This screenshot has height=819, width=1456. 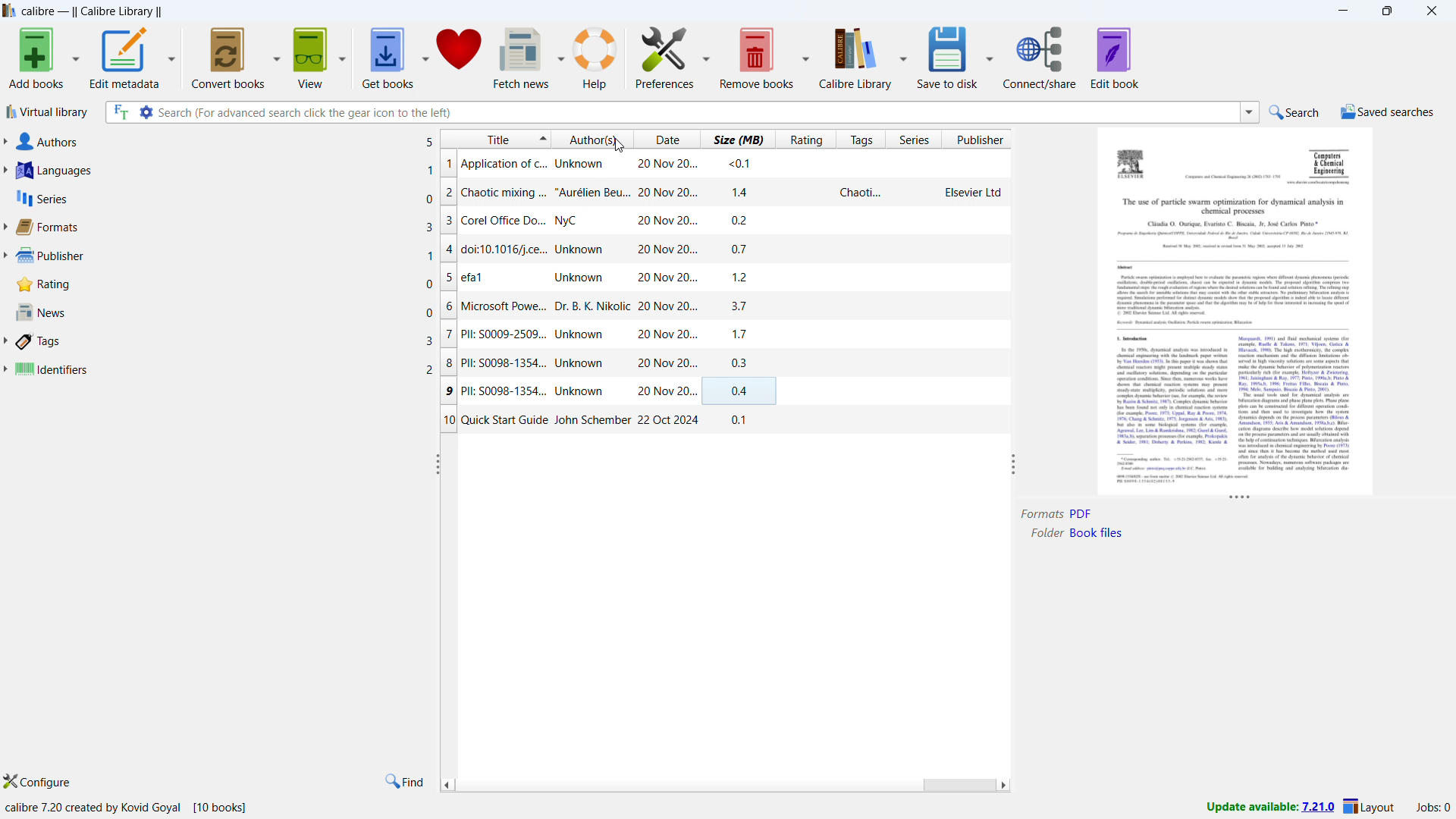 I want to click on convert books, so click(x=229, y=58).